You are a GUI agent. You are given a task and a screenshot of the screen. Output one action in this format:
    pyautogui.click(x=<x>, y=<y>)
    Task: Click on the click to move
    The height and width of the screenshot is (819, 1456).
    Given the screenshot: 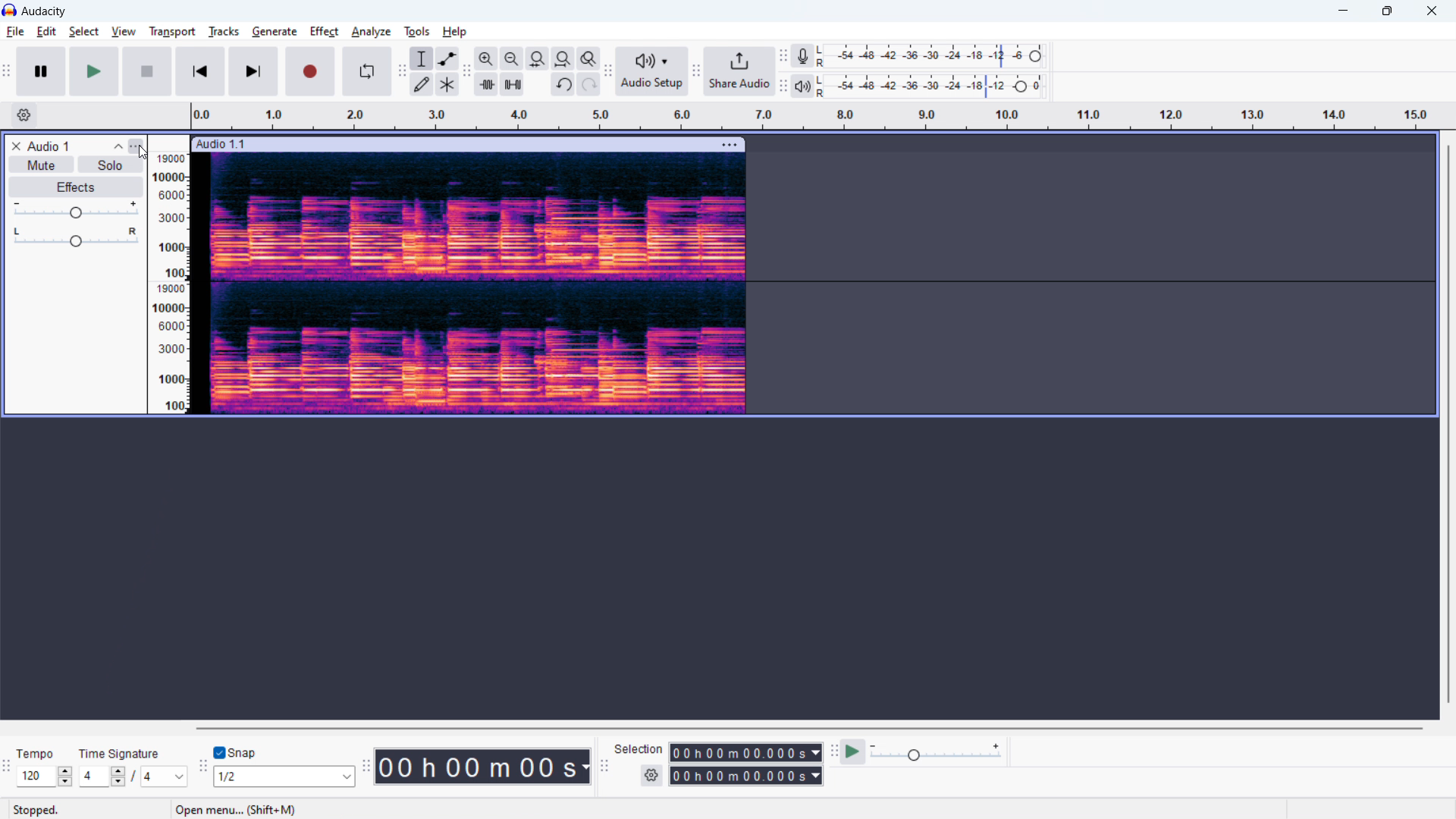 What is the action you would take?
    pyautogui.click(x=450, y=145)
    